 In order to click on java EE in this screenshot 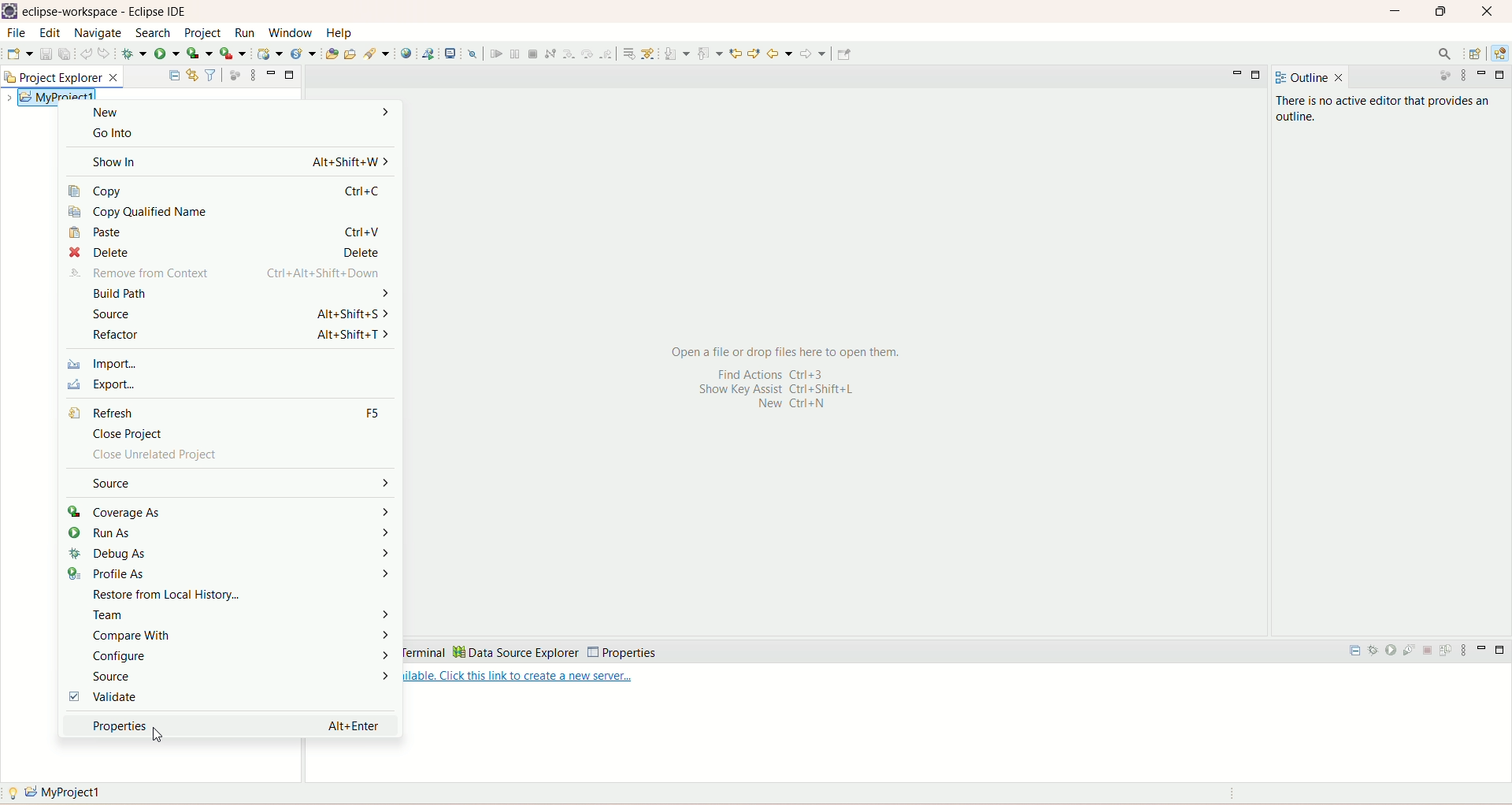, I will do `click(1501, 53)`.